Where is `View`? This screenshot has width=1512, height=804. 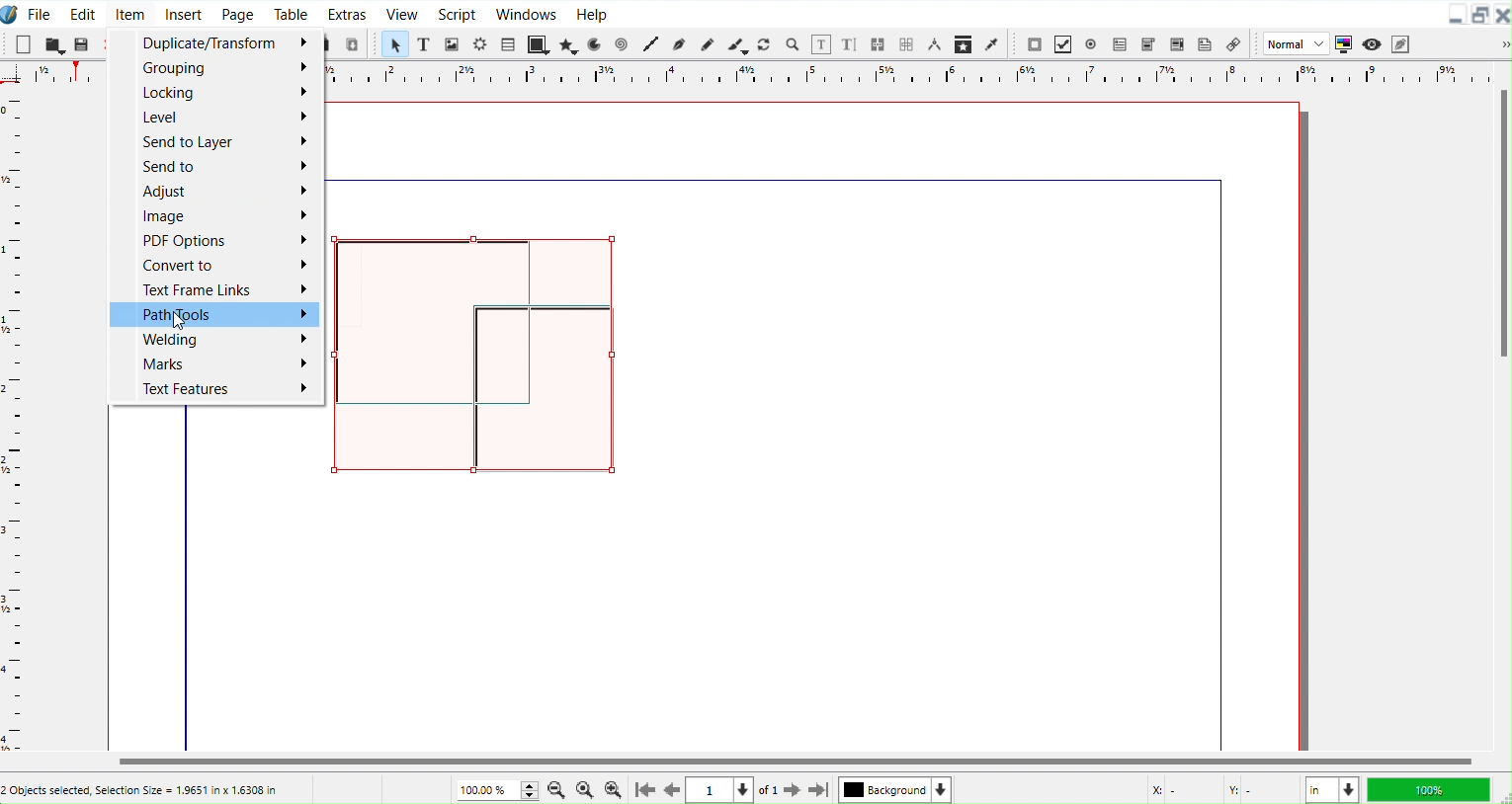 View is located at coordinates (400, 13).